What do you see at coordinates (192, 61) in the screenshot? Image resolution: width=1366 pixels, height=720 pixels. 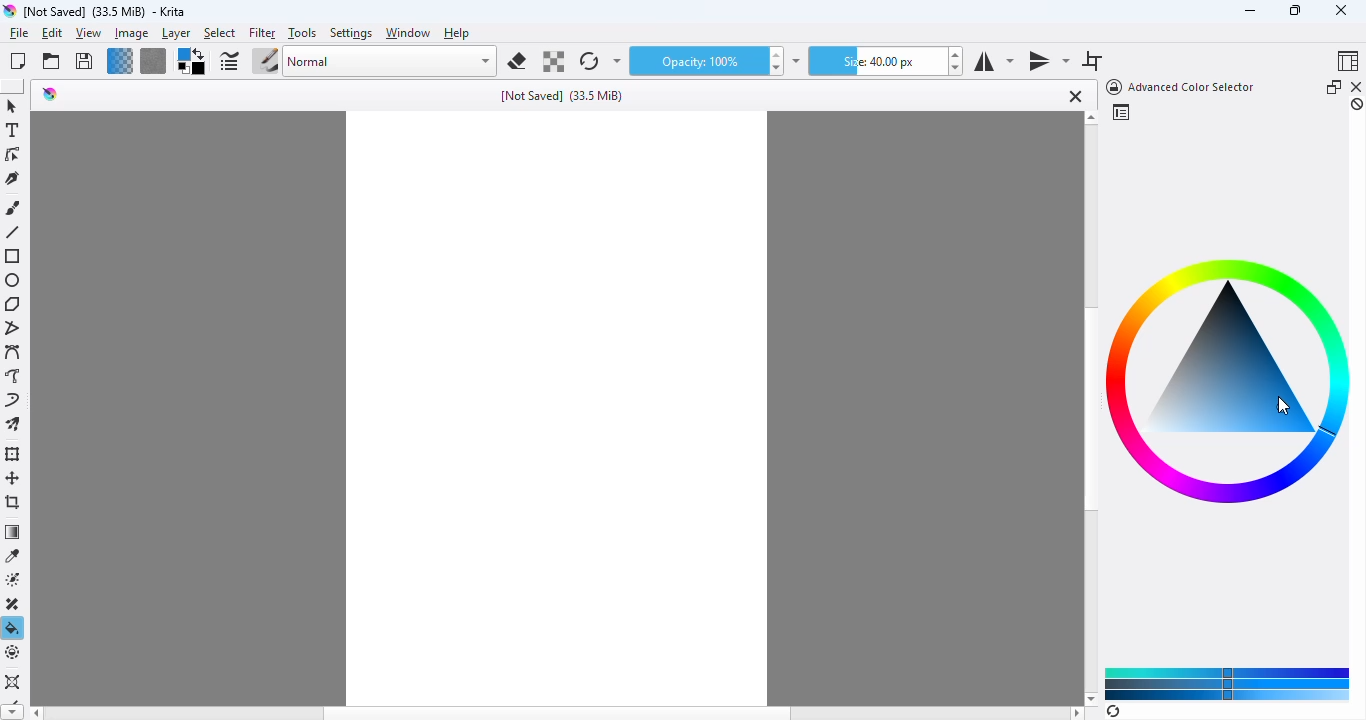 I see `foreground/background color selector` at bounding box center [192, 61].